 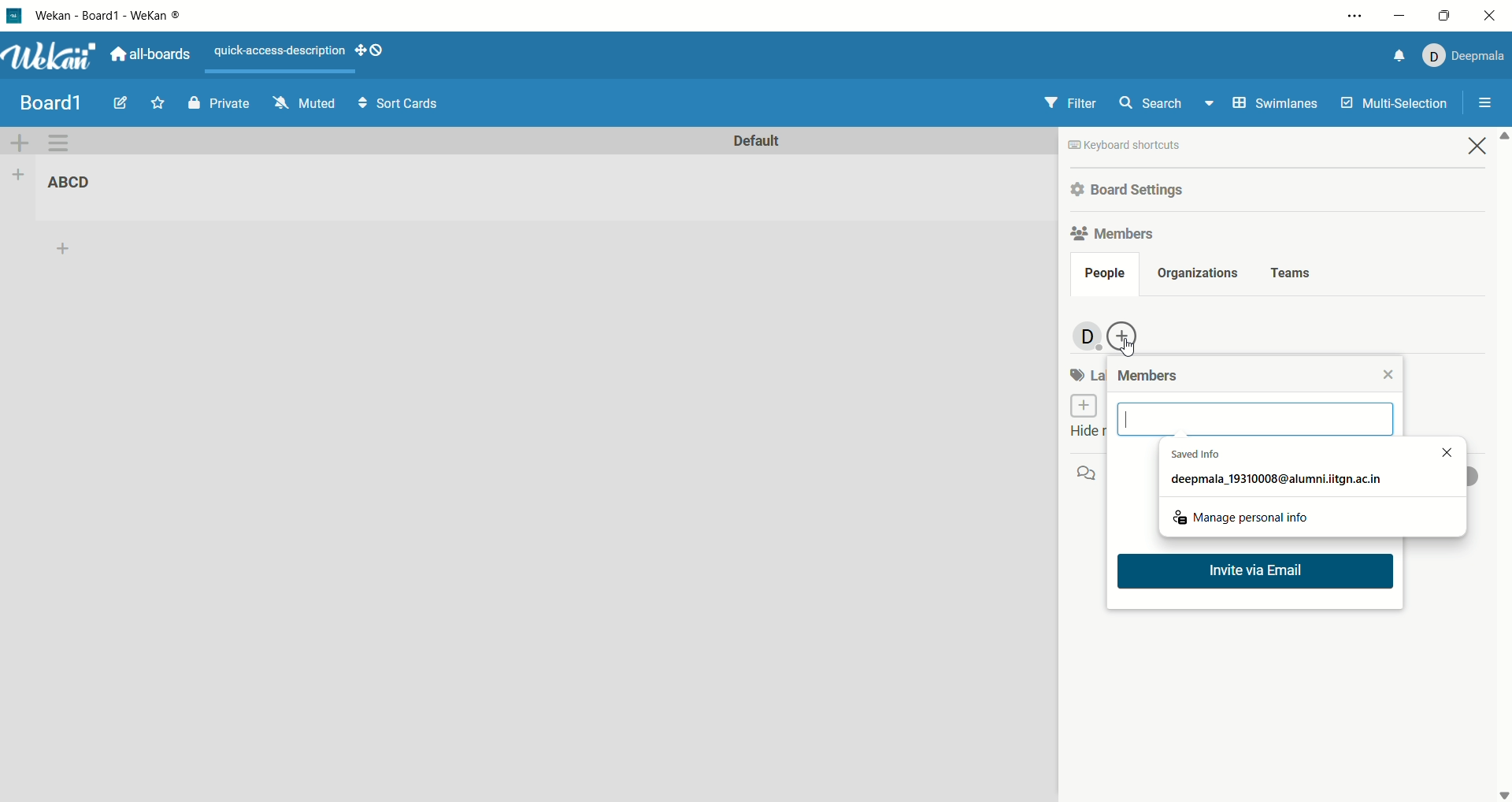 What do you see at coordinates (65, 144) in the screenshot?
I see `swimlane action` at bounding box center [65, 144].